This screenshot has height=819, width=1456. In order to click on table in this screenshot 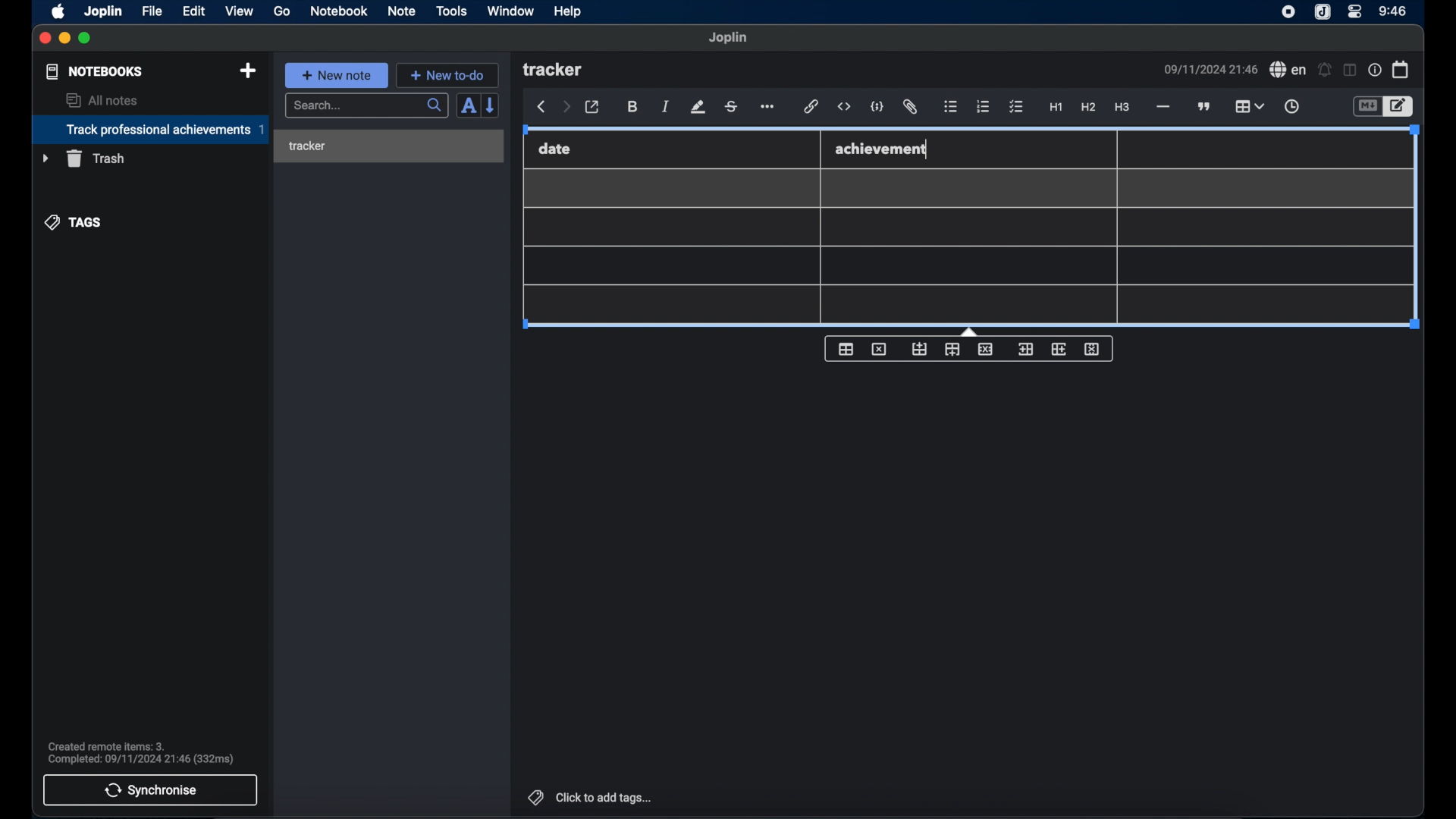, I will do `click(1249, 105)`.